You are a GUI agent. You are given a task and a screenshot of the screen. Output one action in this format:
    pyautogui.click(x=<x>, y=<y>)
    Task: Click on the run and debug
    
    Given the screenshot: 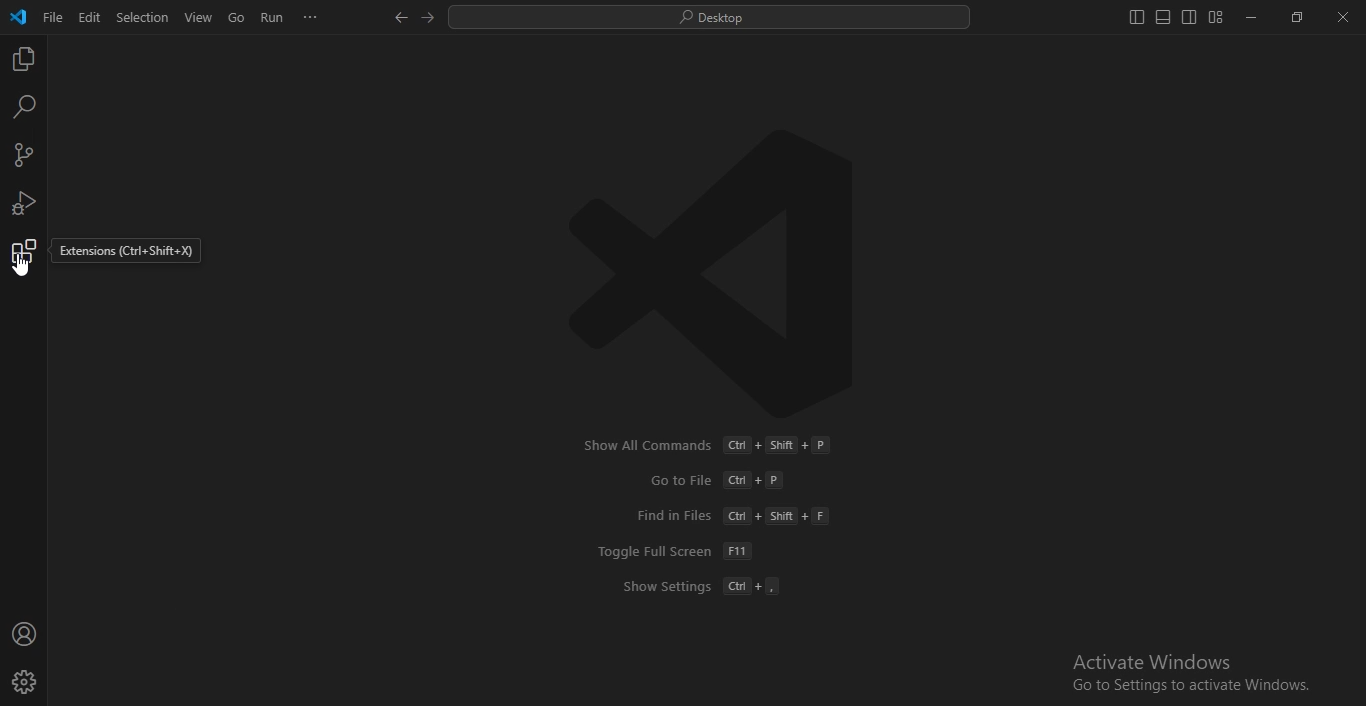 What is the action you would take?
    pyautogui.click(x=22, y=201)
    